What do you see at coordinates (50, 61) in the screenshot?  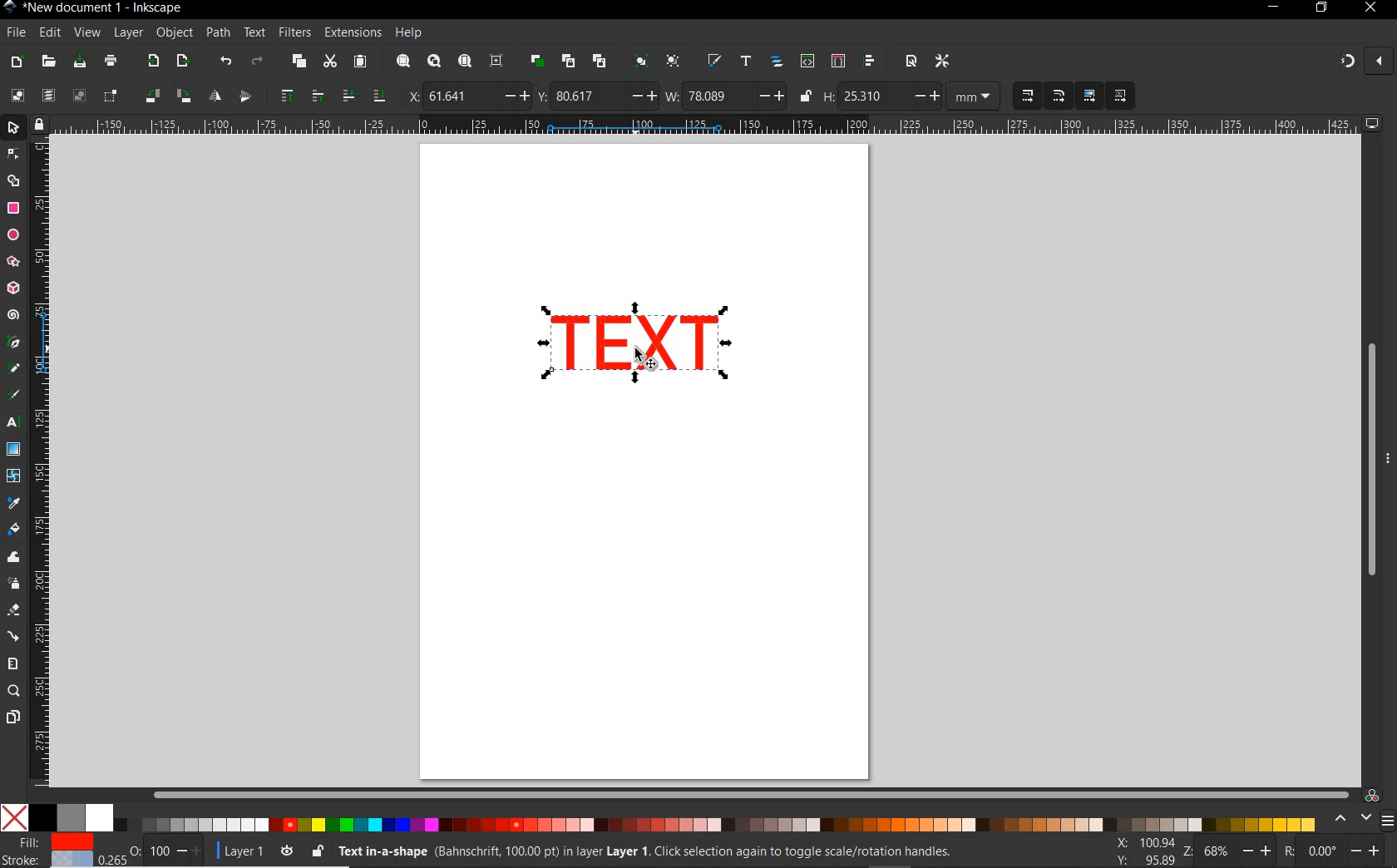 I see `open file dialog` at bounding box center [50, 61].